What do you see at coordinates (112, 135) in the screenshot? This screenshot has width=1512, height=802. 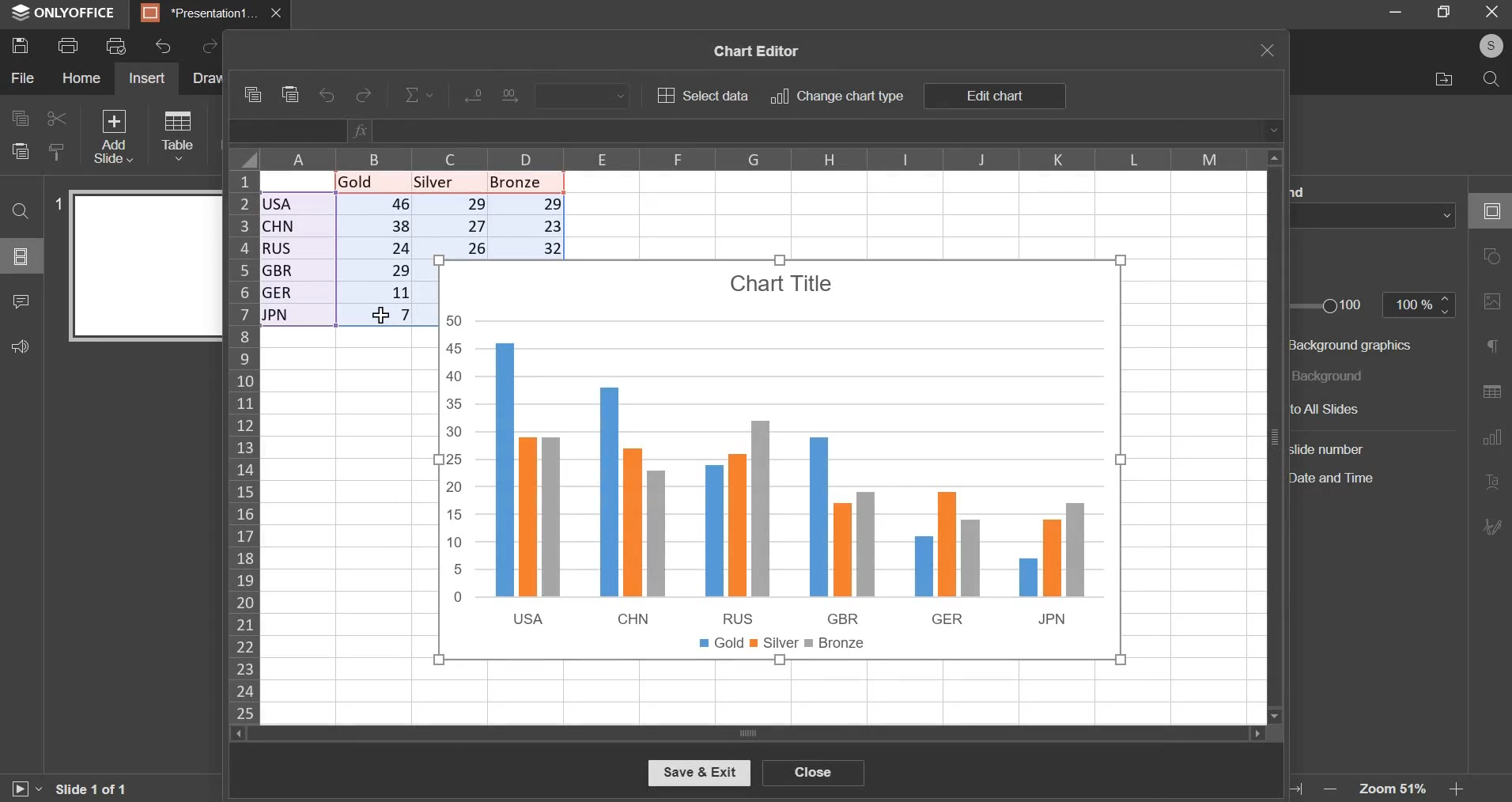 I see `add slide` at bounding box center [112, 135].